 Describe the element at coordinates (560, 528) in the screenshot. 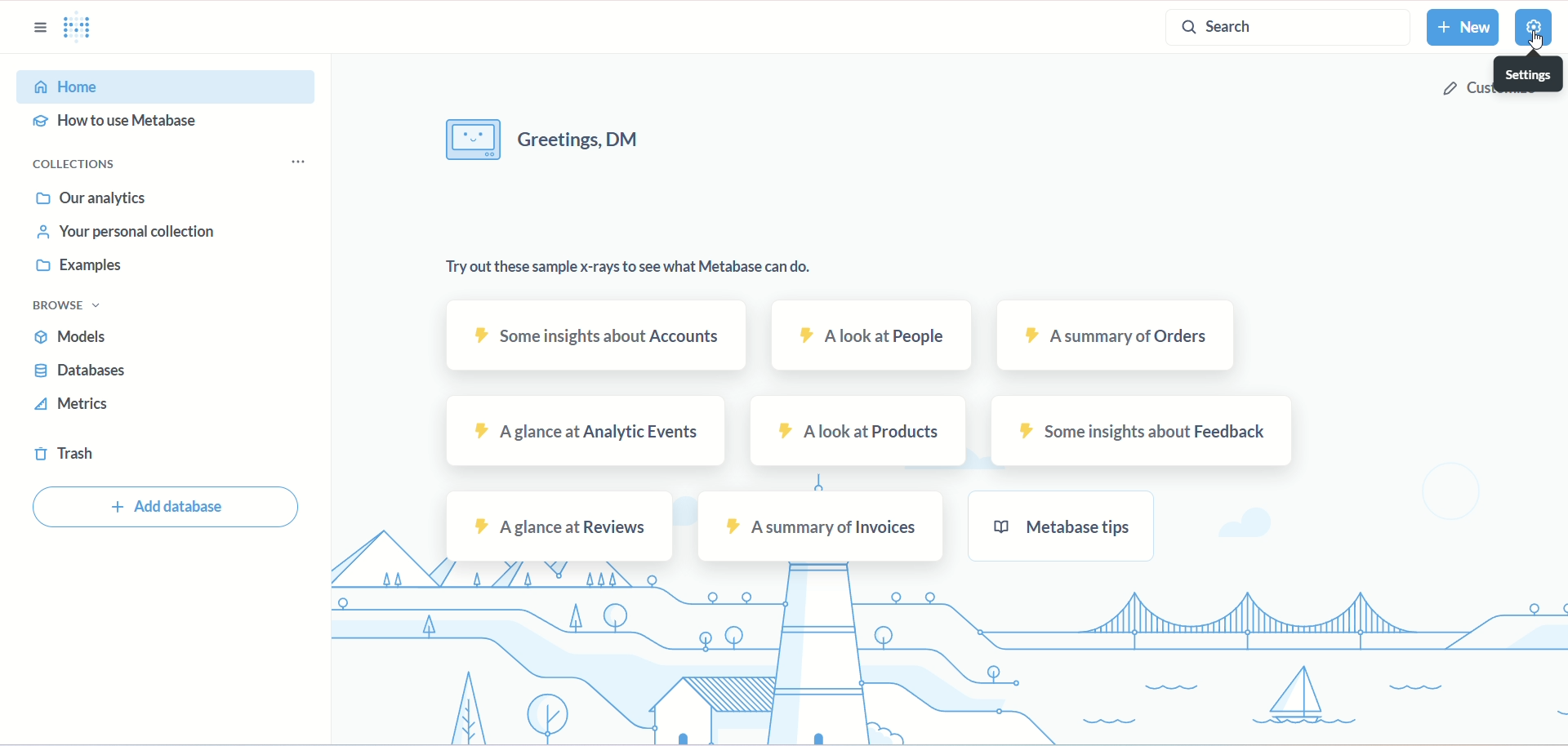

I see `reviews` at that location.